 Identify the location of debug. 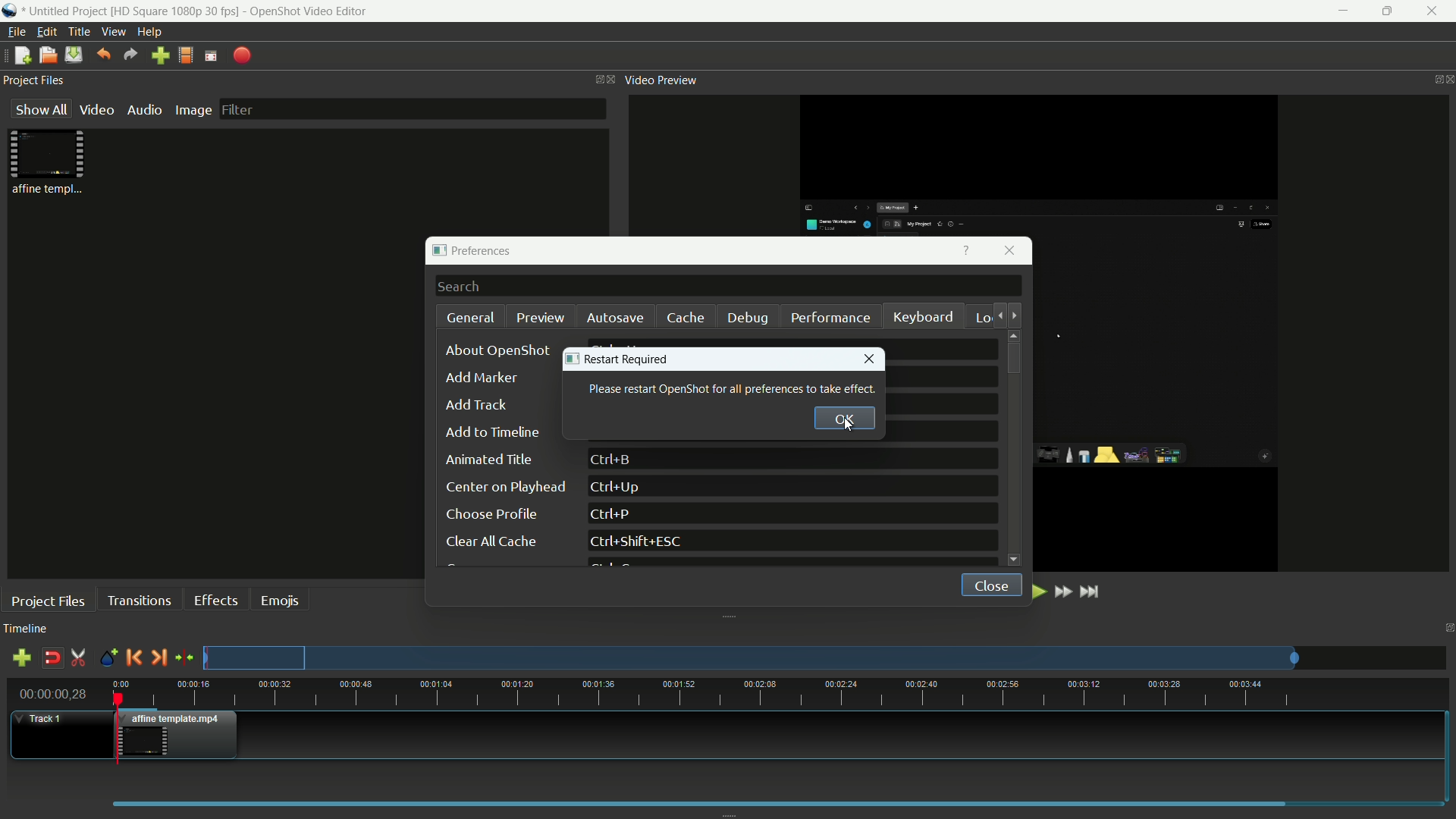
(750, 318).